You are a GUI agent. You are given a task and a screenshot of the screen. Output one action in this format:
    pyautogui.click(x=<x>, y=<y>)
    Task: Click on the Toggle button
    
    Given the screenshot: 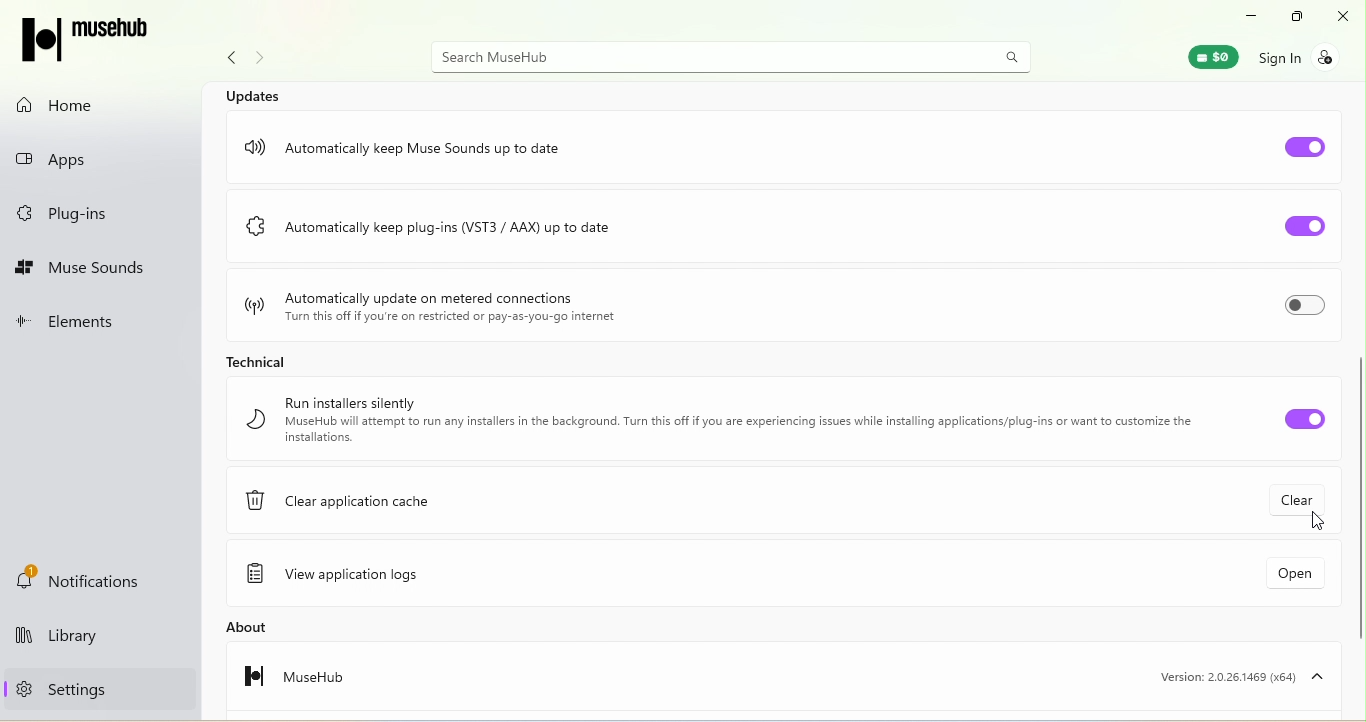 What is the action you would take?
    pyautogui.click(x=1289, y=418)
    